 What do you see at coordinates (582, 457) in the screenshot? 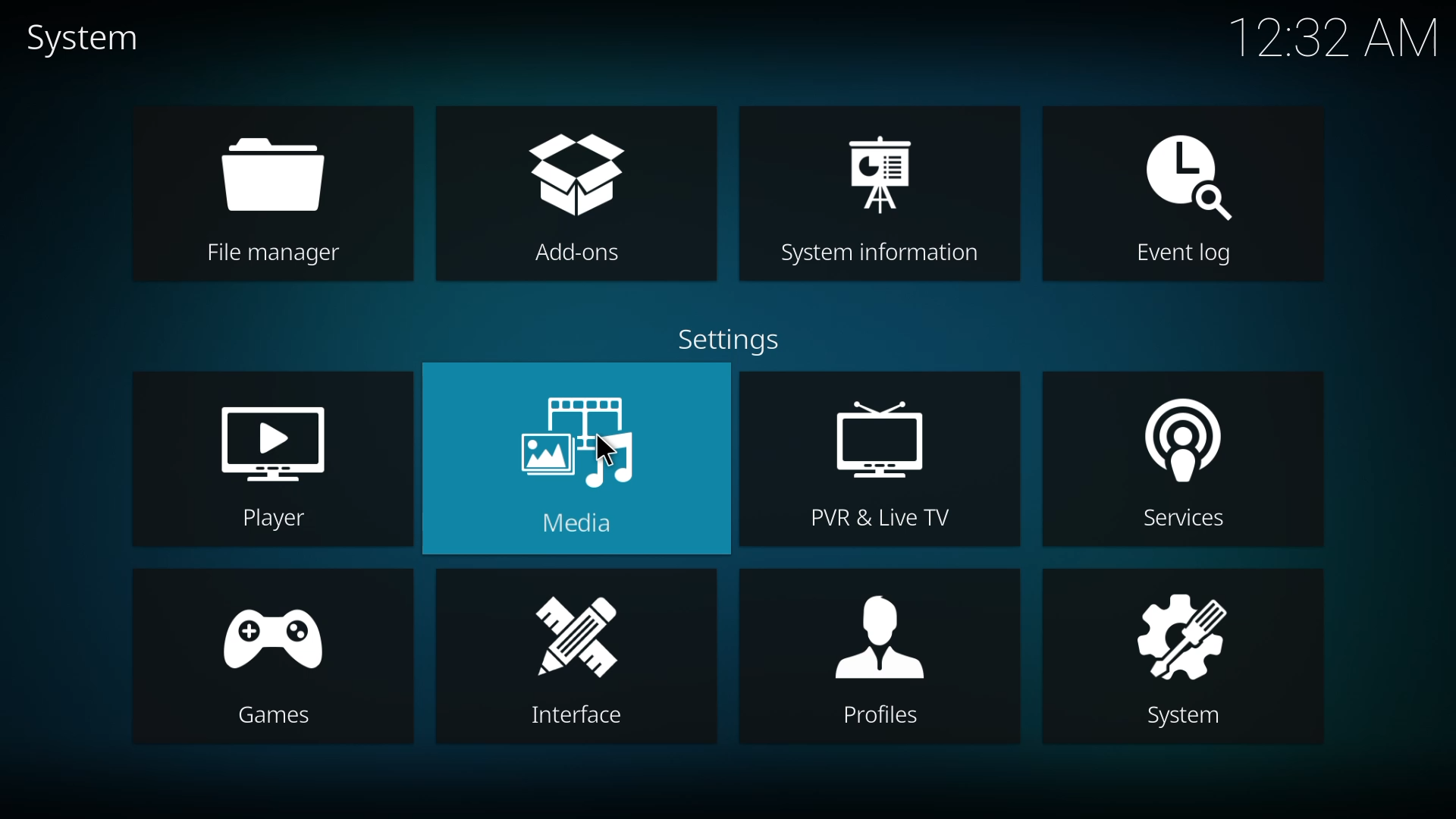
I see `media` at bounding box center [582, 457].